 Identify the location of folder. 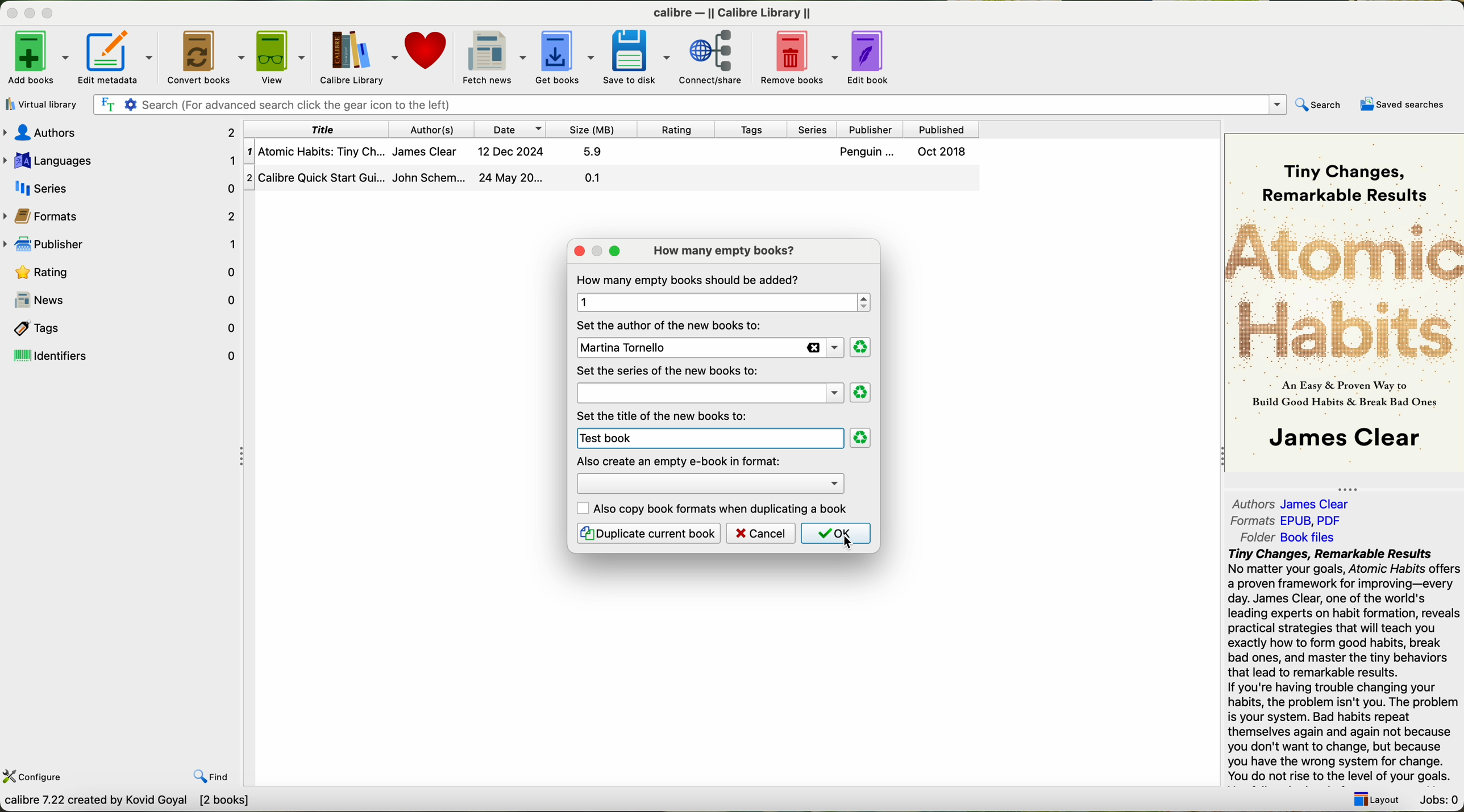
(1286, 538).